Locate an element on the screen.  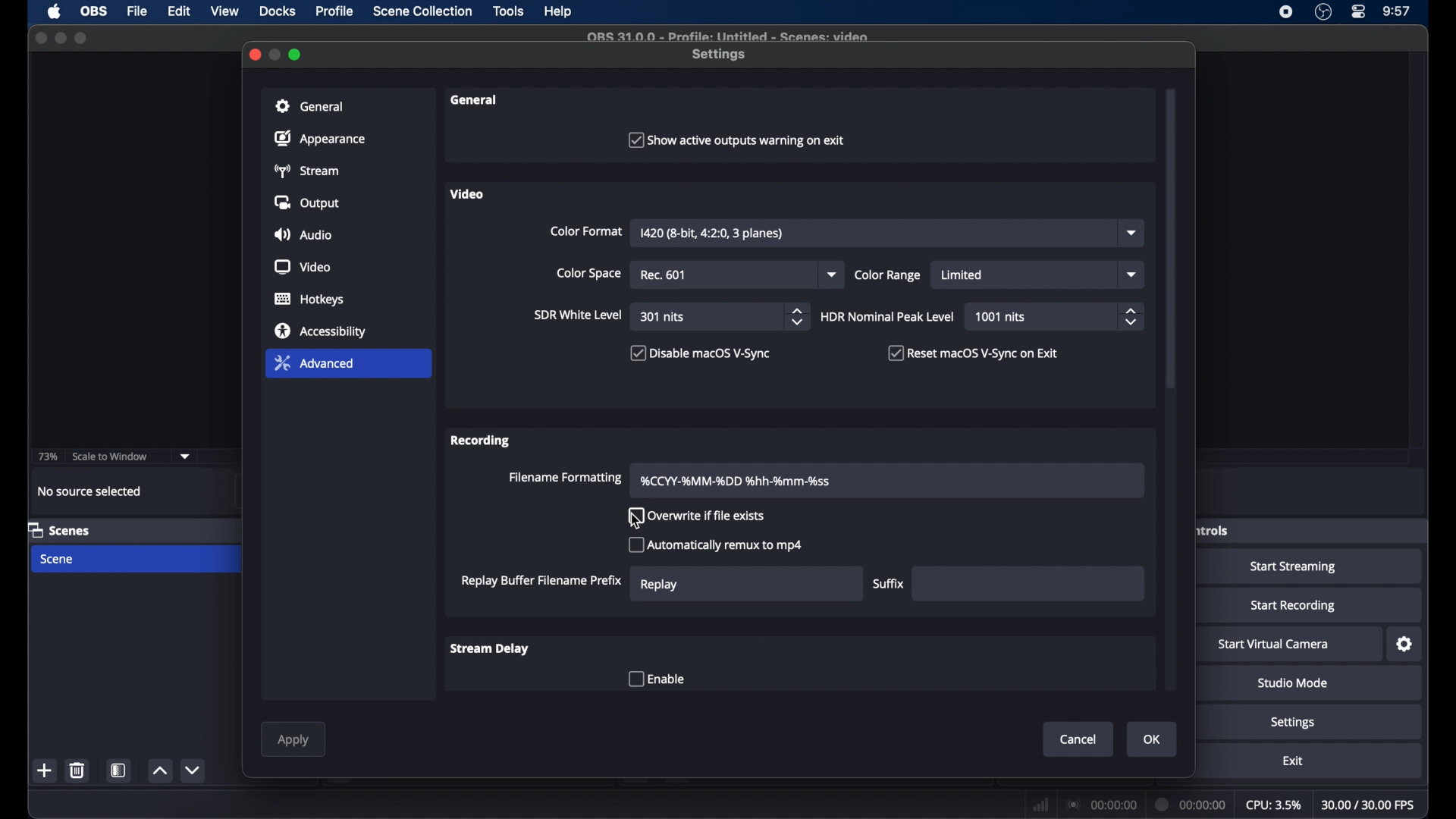
close is located at coordinates (41, 37).